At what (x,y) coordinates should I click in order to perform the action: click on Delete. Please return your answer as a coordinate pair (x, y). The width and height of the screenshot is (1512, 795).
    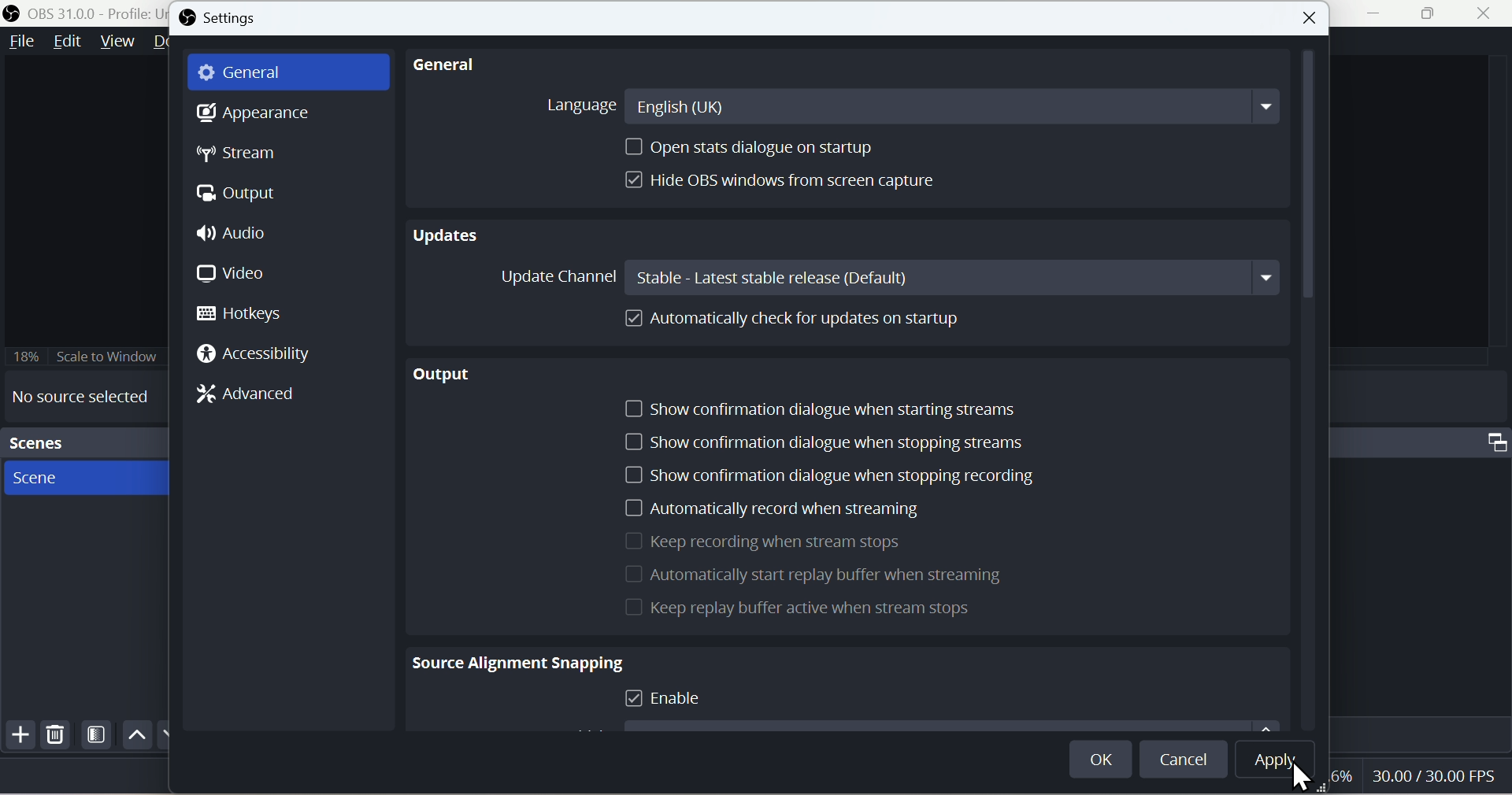
    Looking at the image, I should click on (57, 734).